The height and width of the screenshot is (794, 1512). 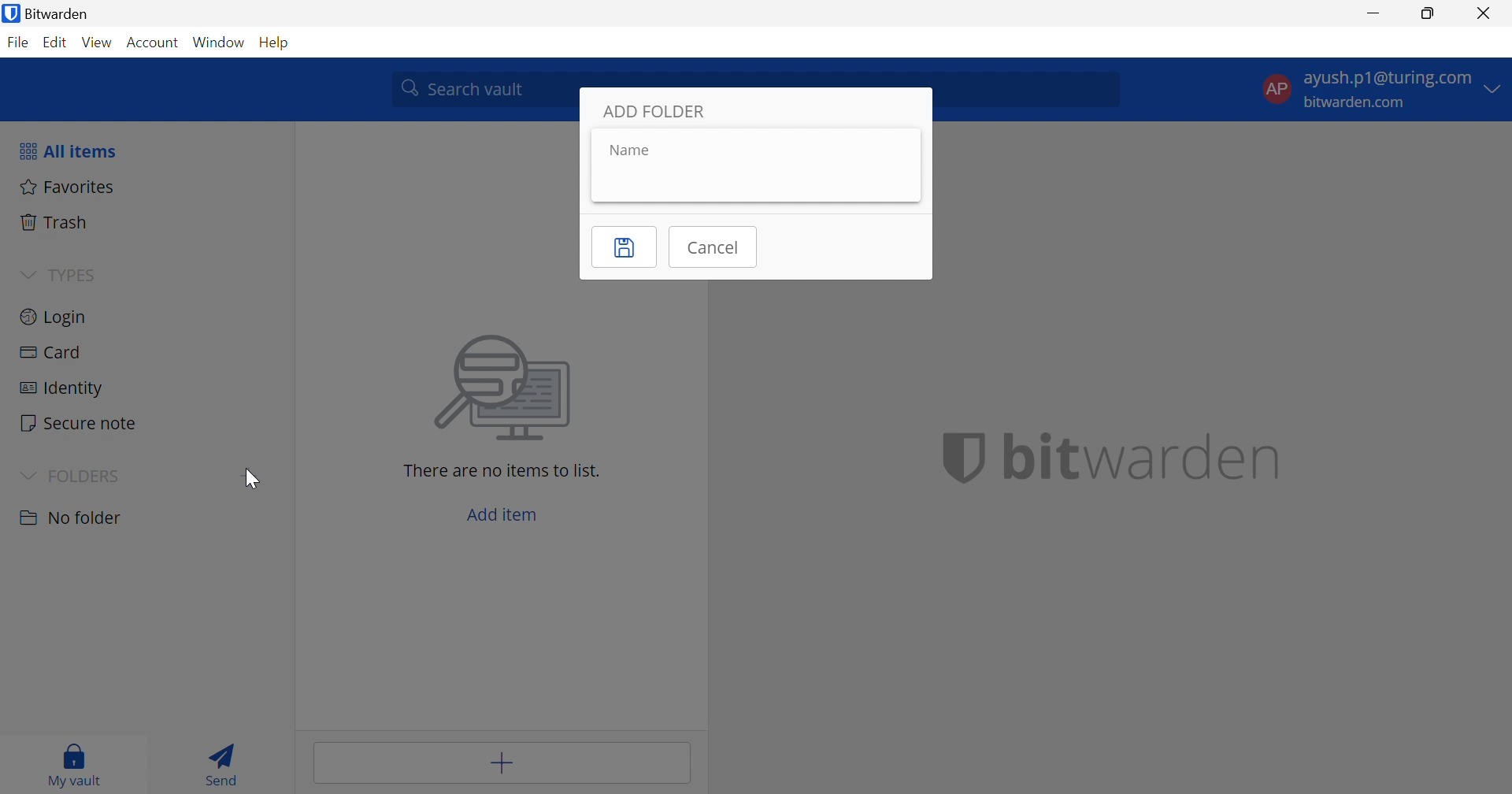 What do you see at coordinates (1144, 458) in the screenshot?
I see `bitwarden` at bounding box center [1144, 458].